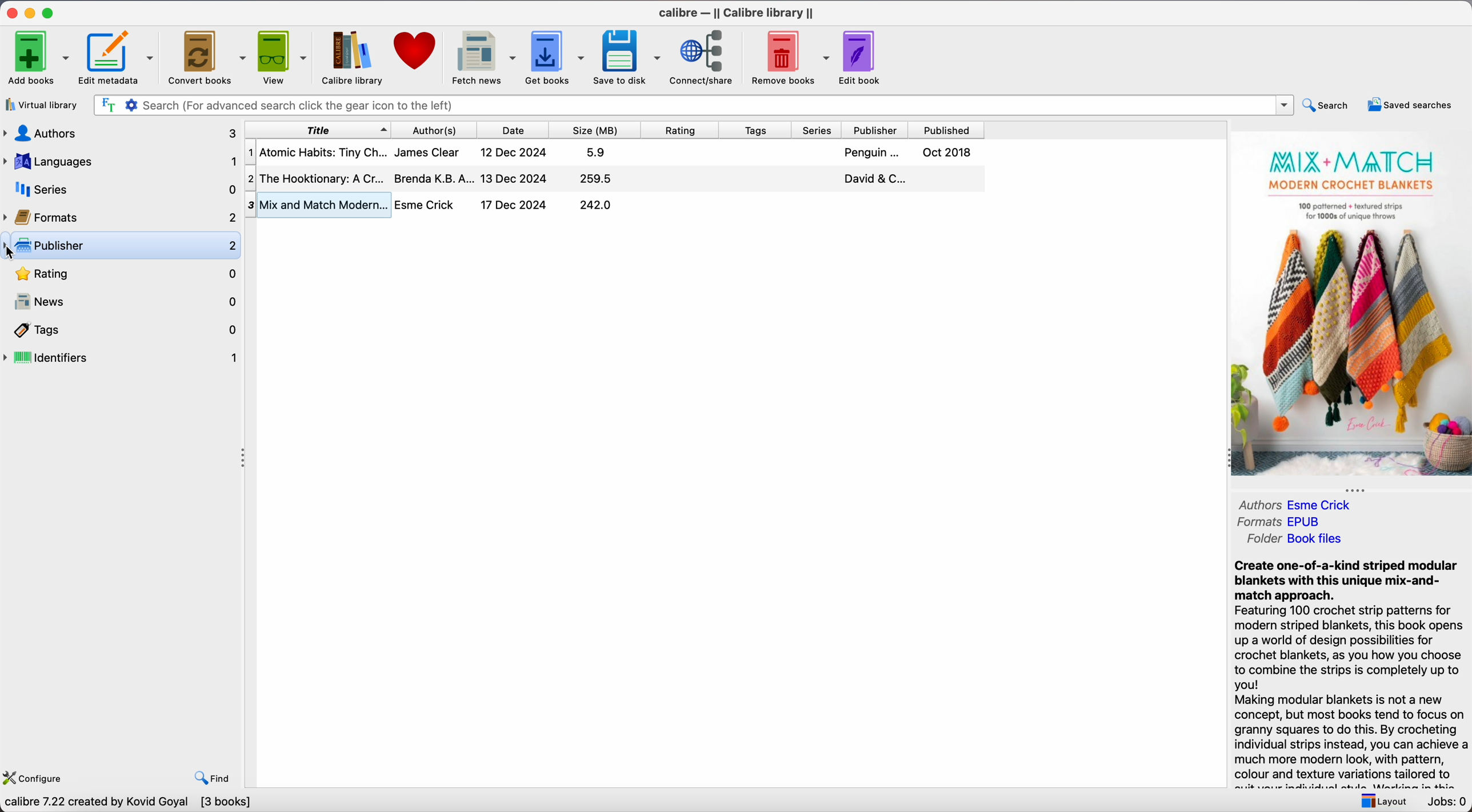 This screenshot has width=1472, height=812. I want to click on Atomic Habits, so click(615, 151).